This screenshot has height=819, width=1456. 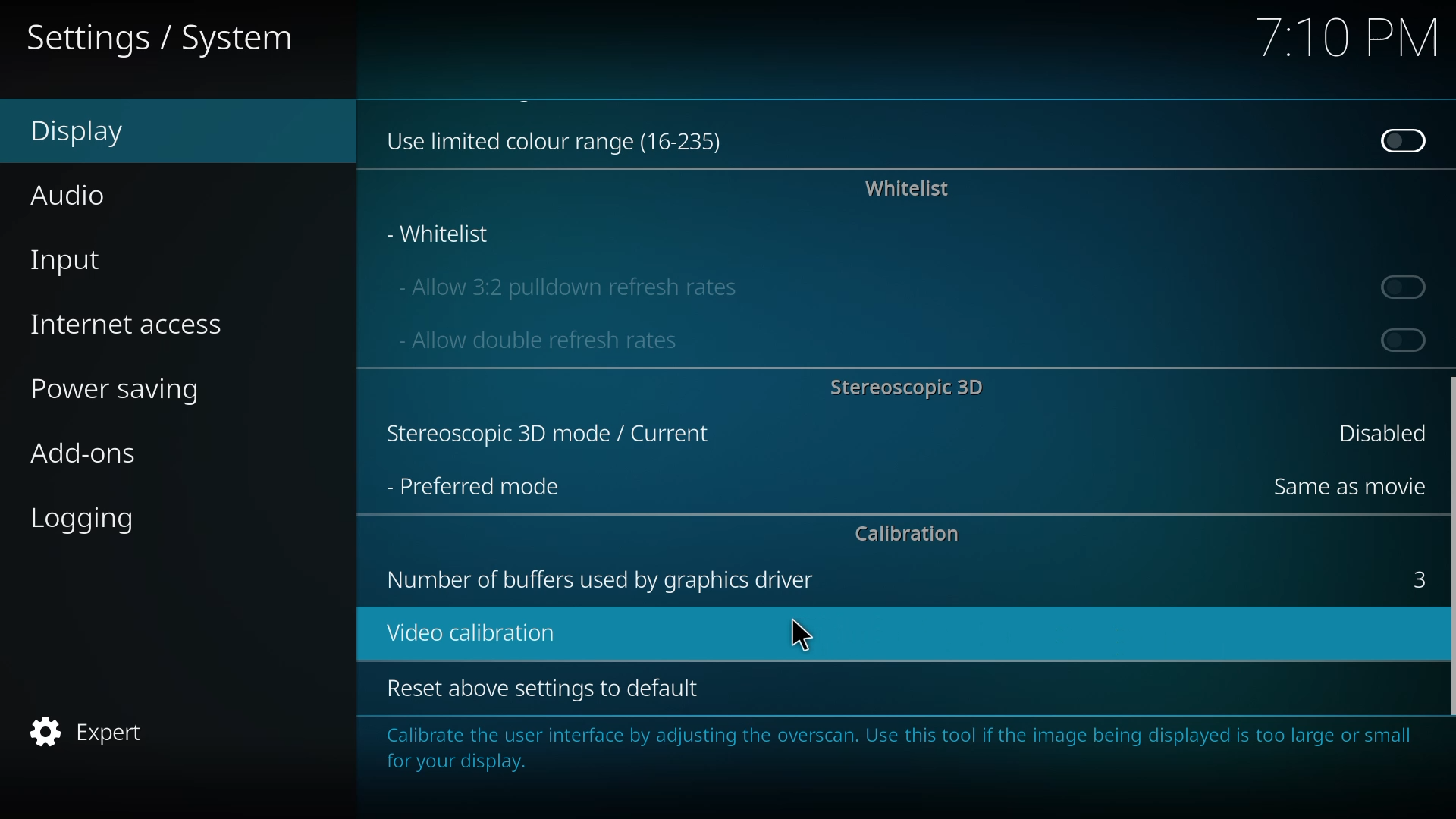 I want to click on stereoscopic 3d, so click(x=905, y=386).